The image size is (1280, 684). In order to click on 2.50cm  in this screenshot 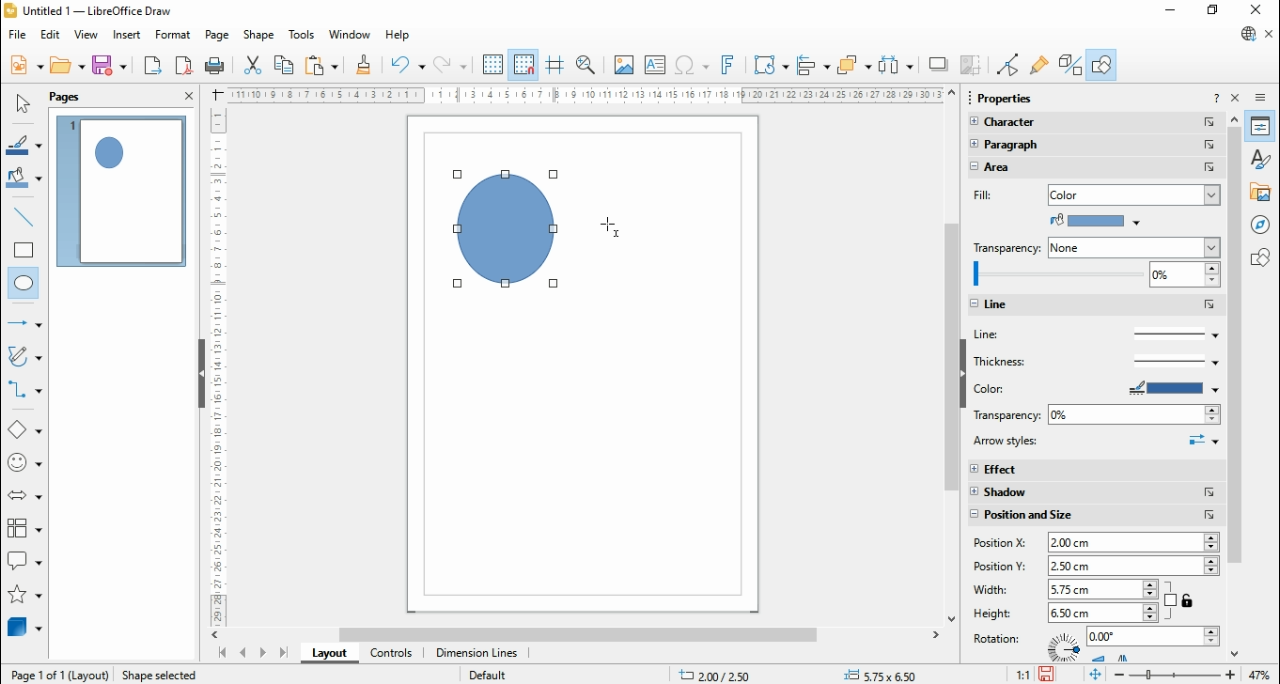, I will do `click(1134, 566)`.